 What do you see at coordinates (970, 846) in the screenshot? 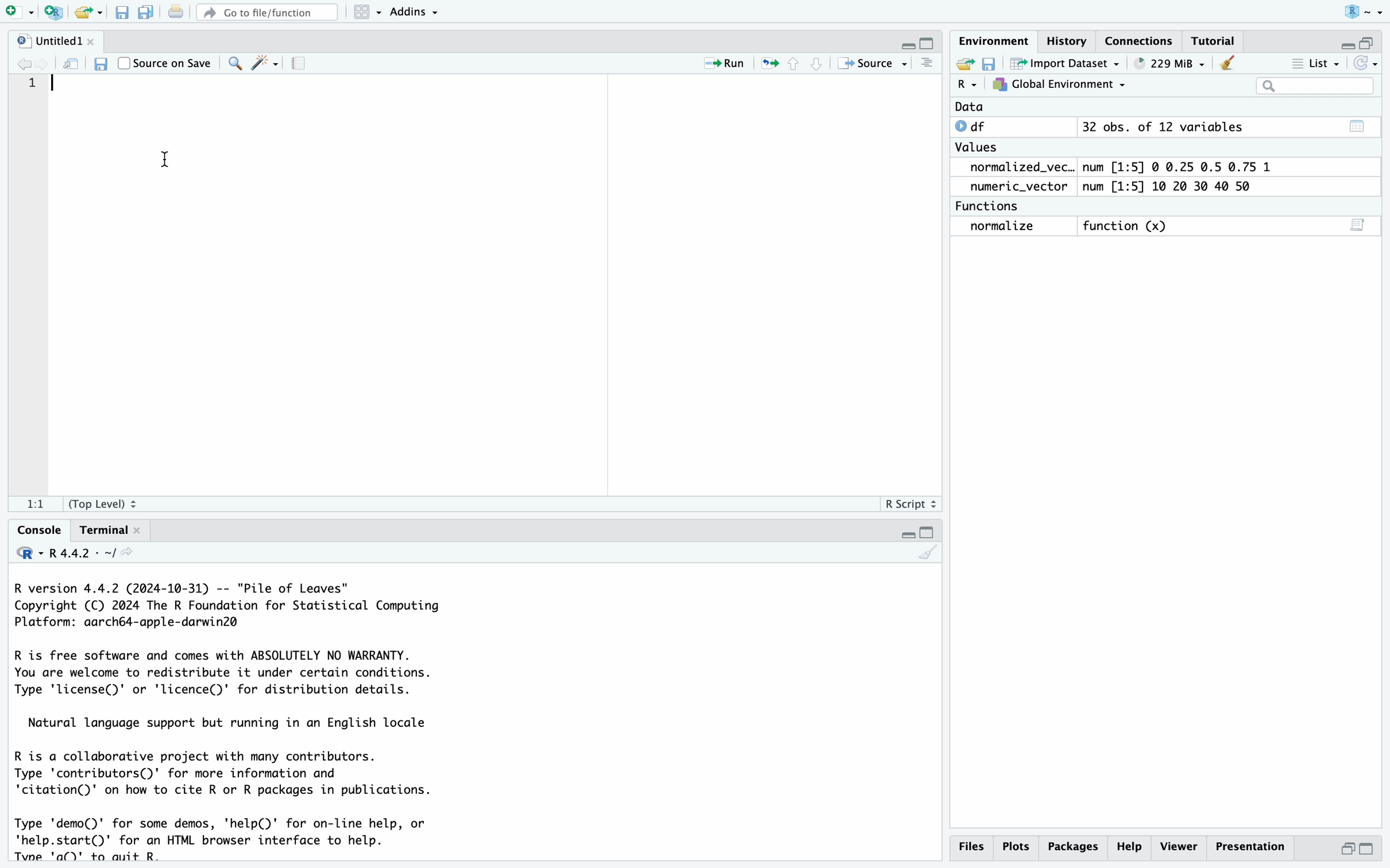
I see `Files` at bounding box center [970, 846].